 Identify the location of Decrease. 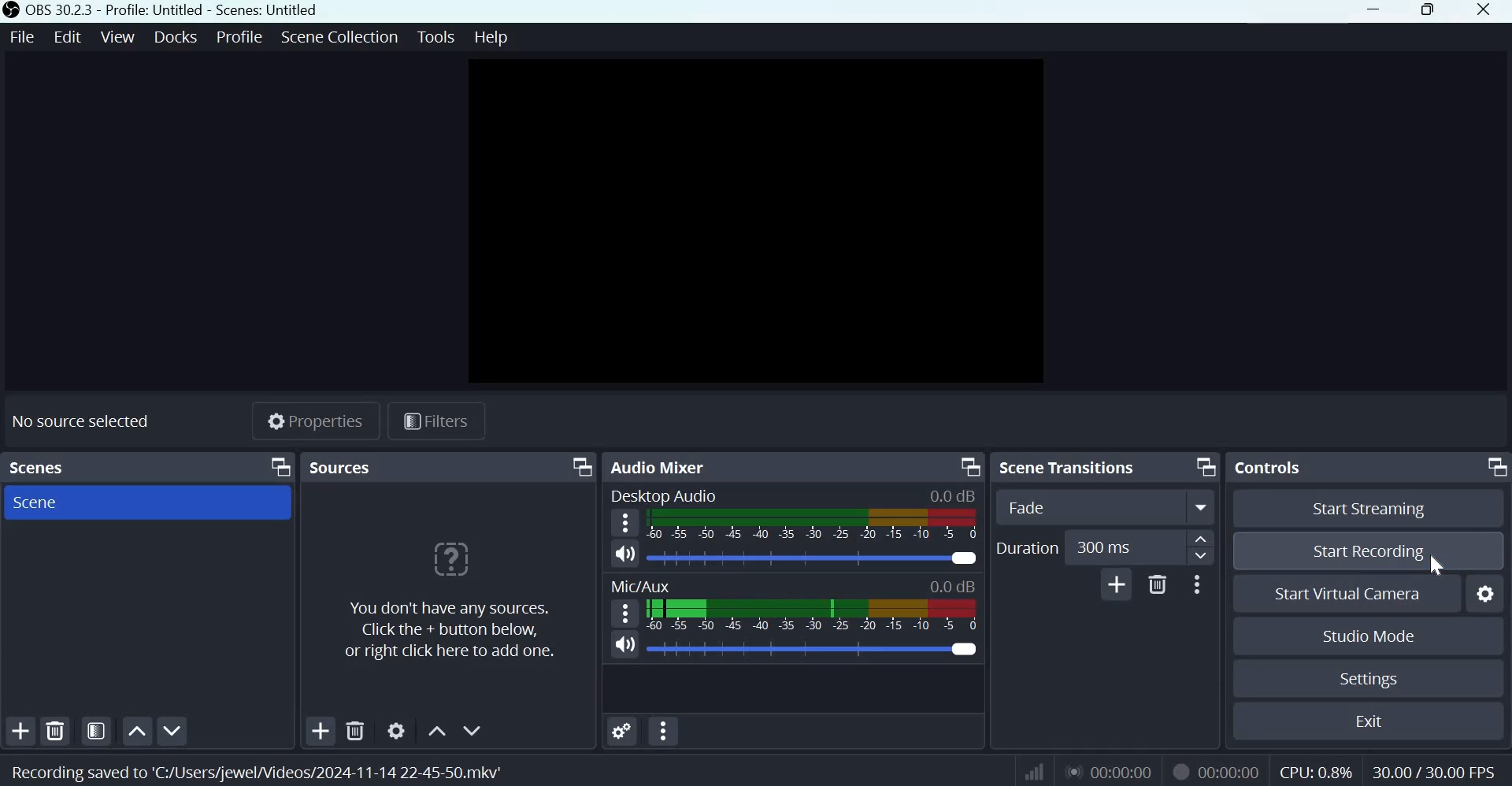
(1200, 556).